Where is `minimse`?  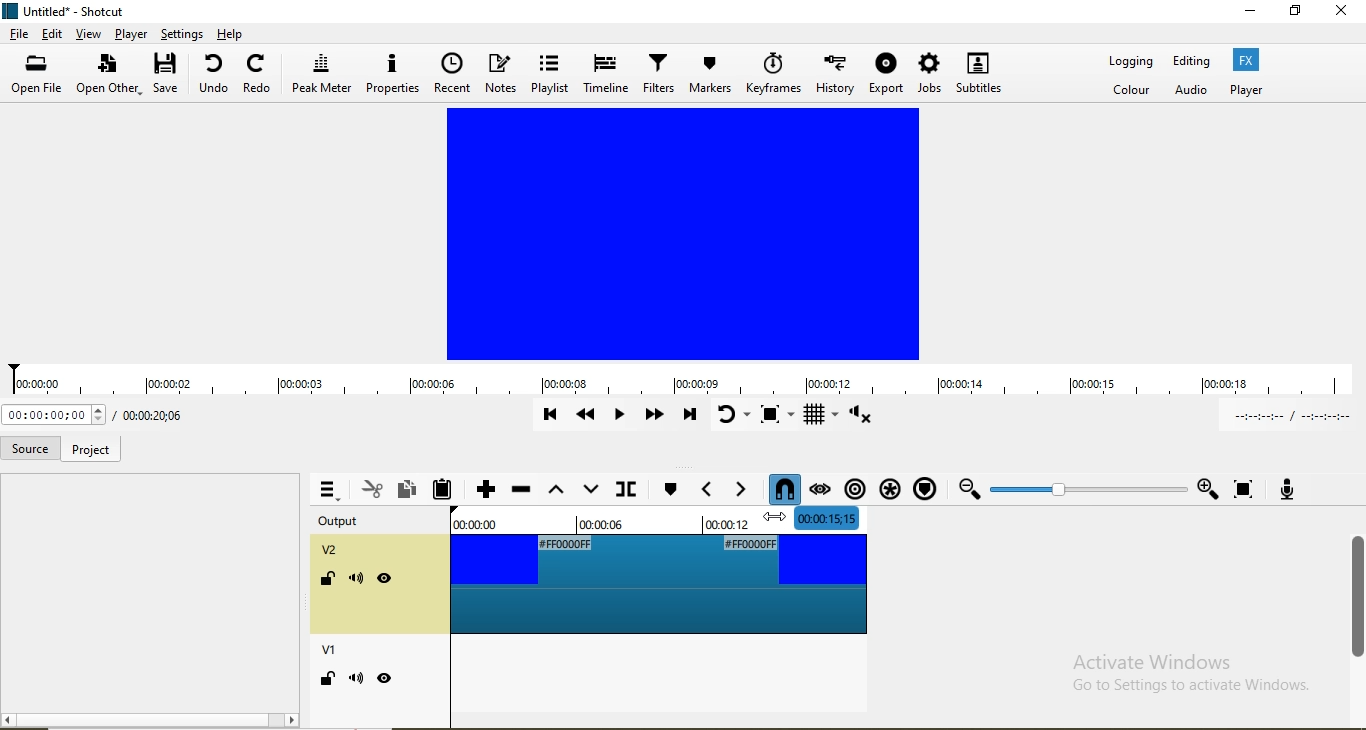 minimse is located at coordinates (1250, 14).